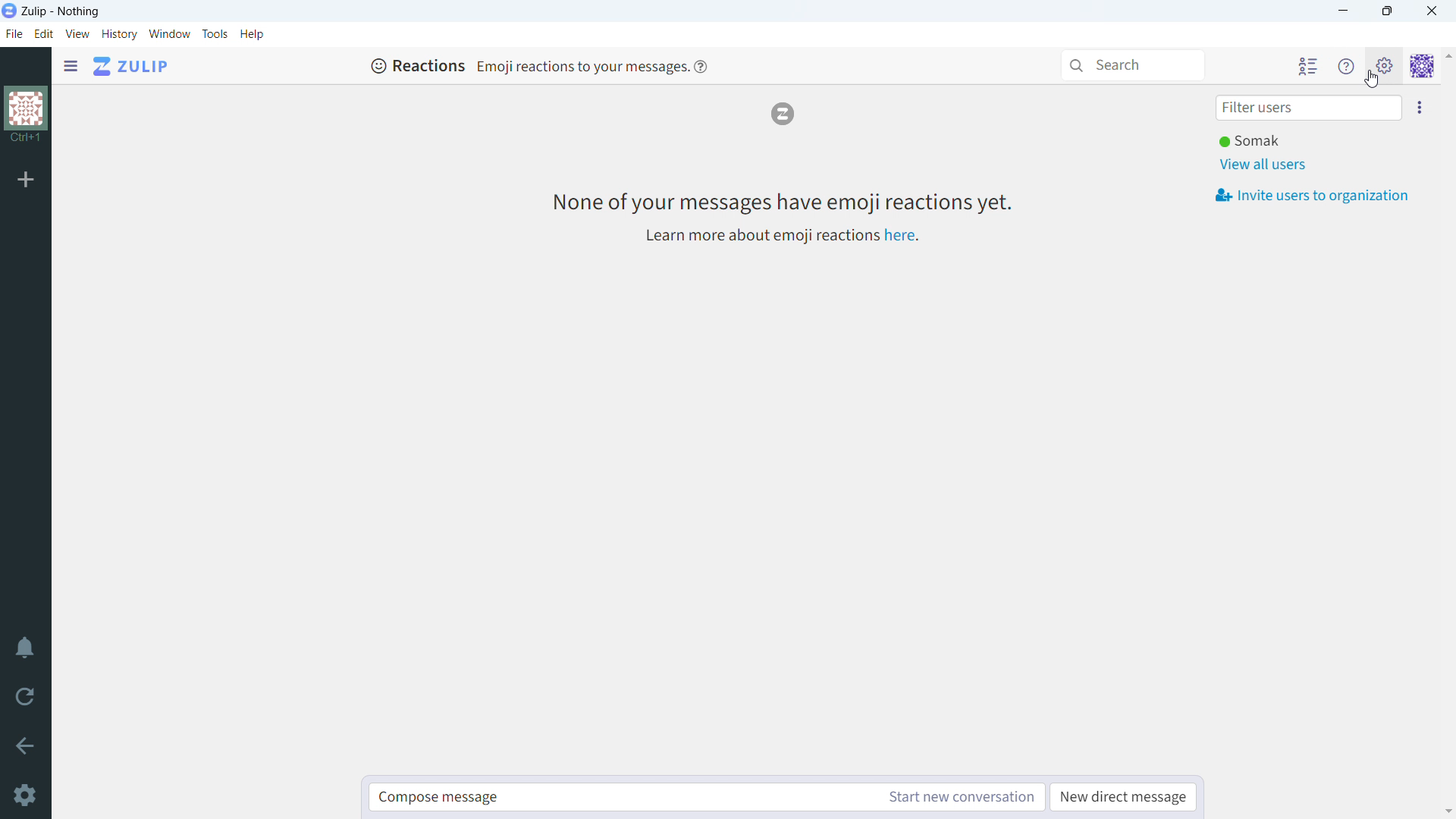 Image resolution: width=1456 pixels, height=819 pixels. I want to click on help menu, so click(1346, 66).